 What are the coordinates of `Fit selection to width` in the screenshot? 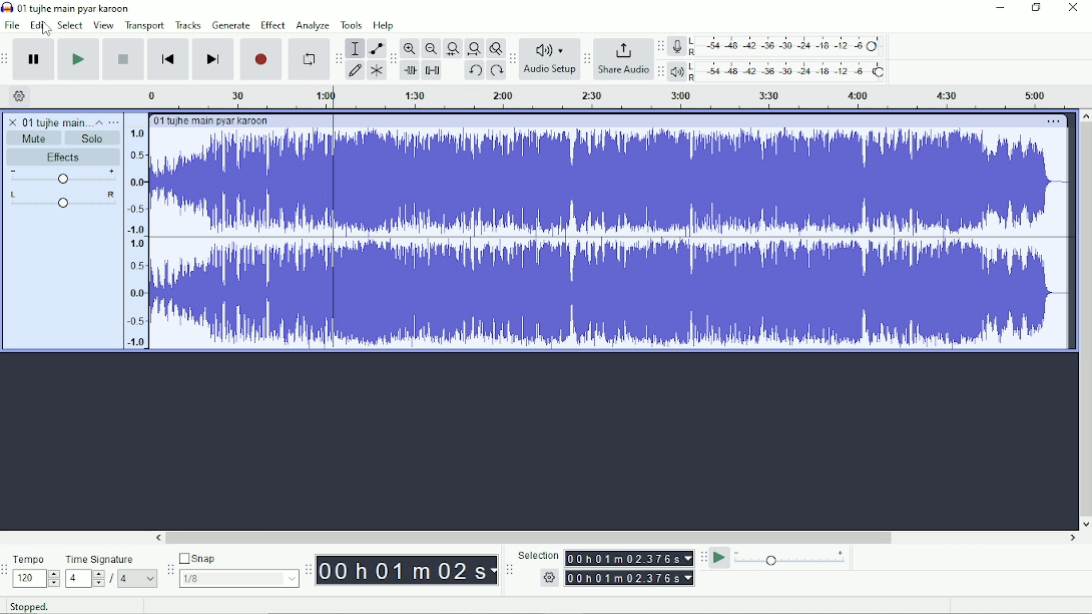 It's located at (452, 49).